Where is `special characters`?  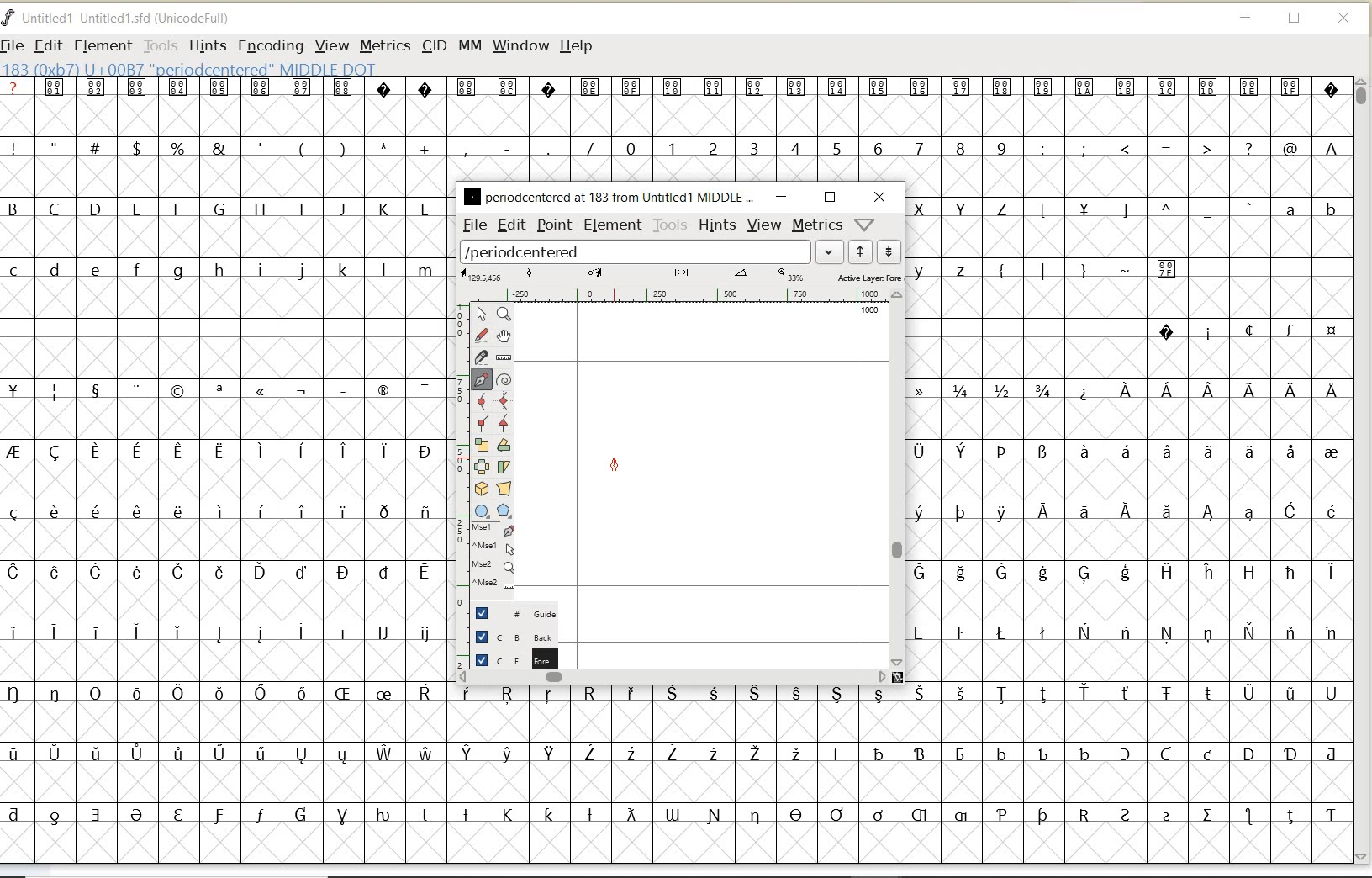 special characters is located at coordinates (673, 98).